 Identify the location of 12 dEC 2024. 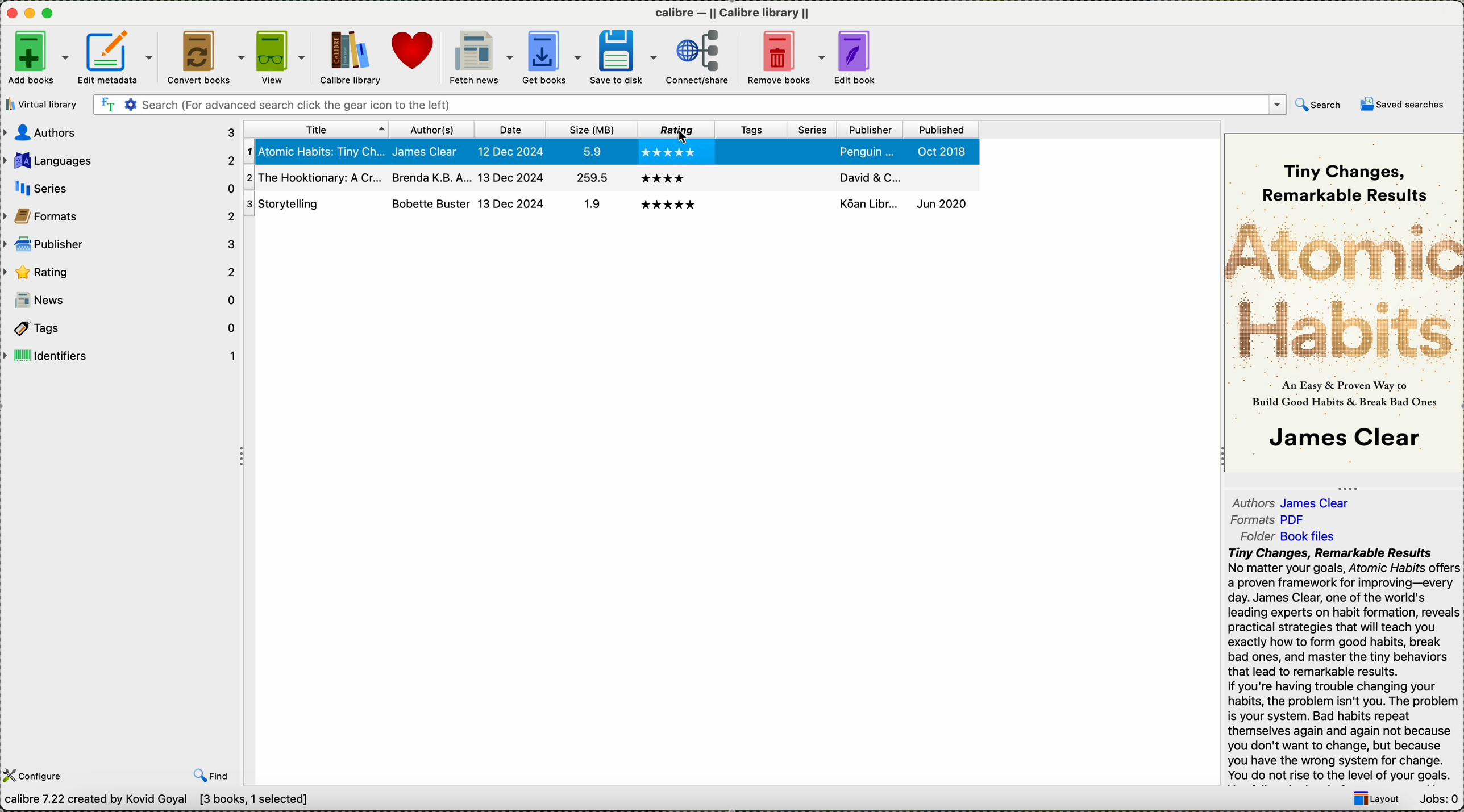
(513, 152).